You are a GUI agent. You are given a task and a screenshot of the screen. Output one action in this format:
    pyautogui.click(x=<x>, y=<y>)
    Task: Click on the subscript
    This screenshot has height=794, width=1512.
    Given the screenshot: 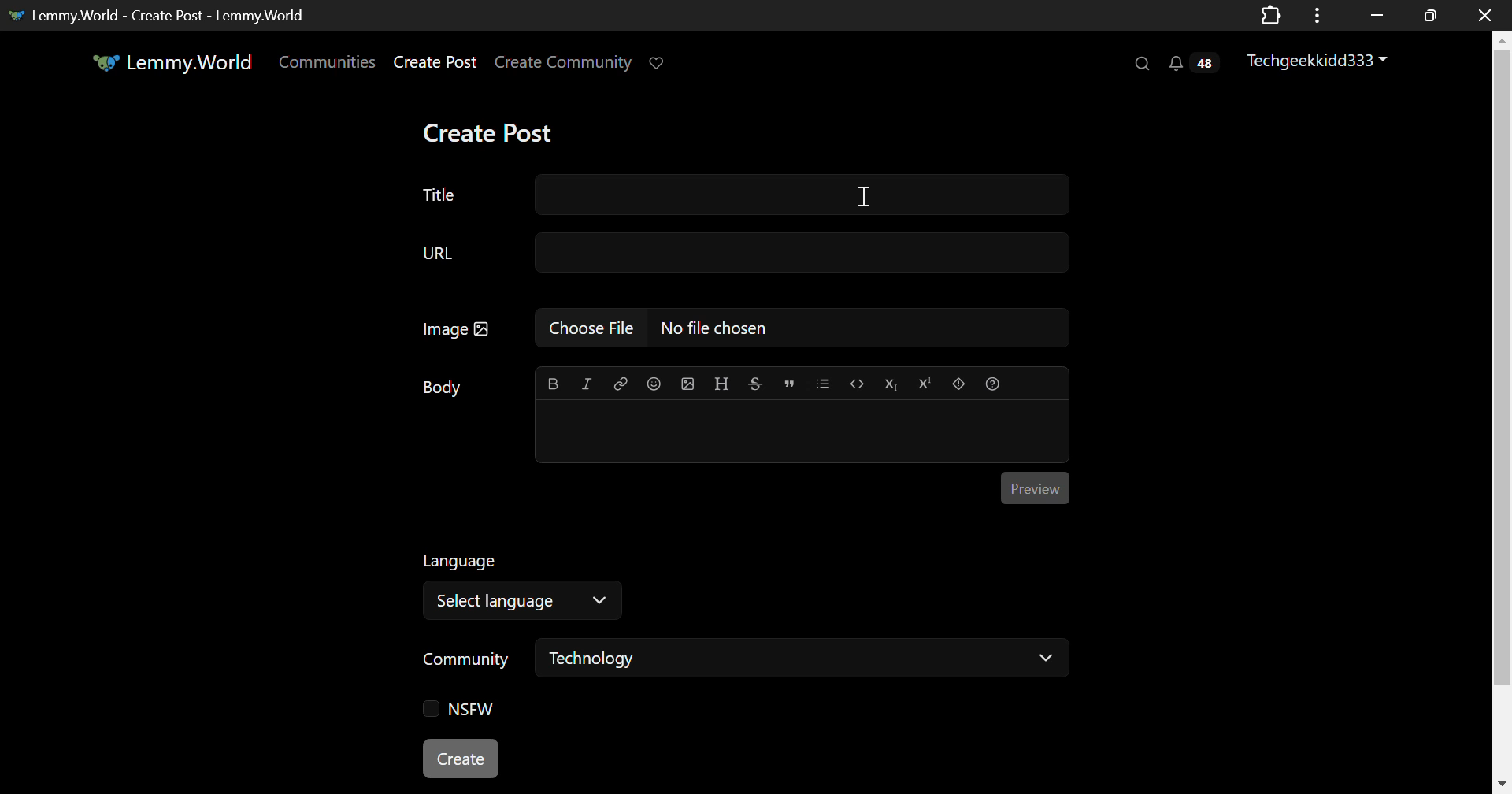 What is the action you would take?
    pyautogui.click(x=889, y=382)
    